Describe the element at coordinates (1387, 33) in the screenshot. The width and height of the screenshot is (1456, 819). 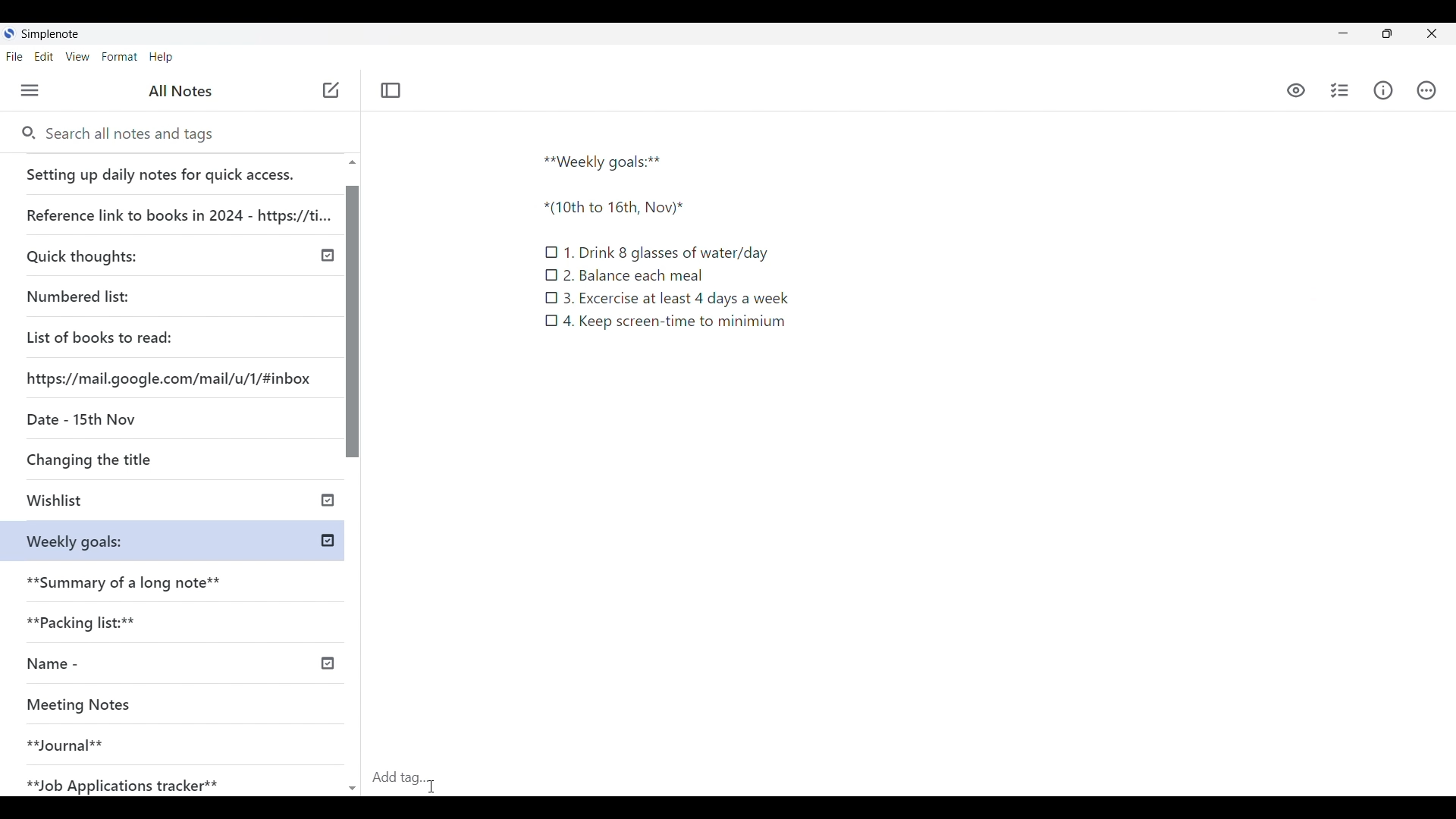
I see `toggle screen` at that location.